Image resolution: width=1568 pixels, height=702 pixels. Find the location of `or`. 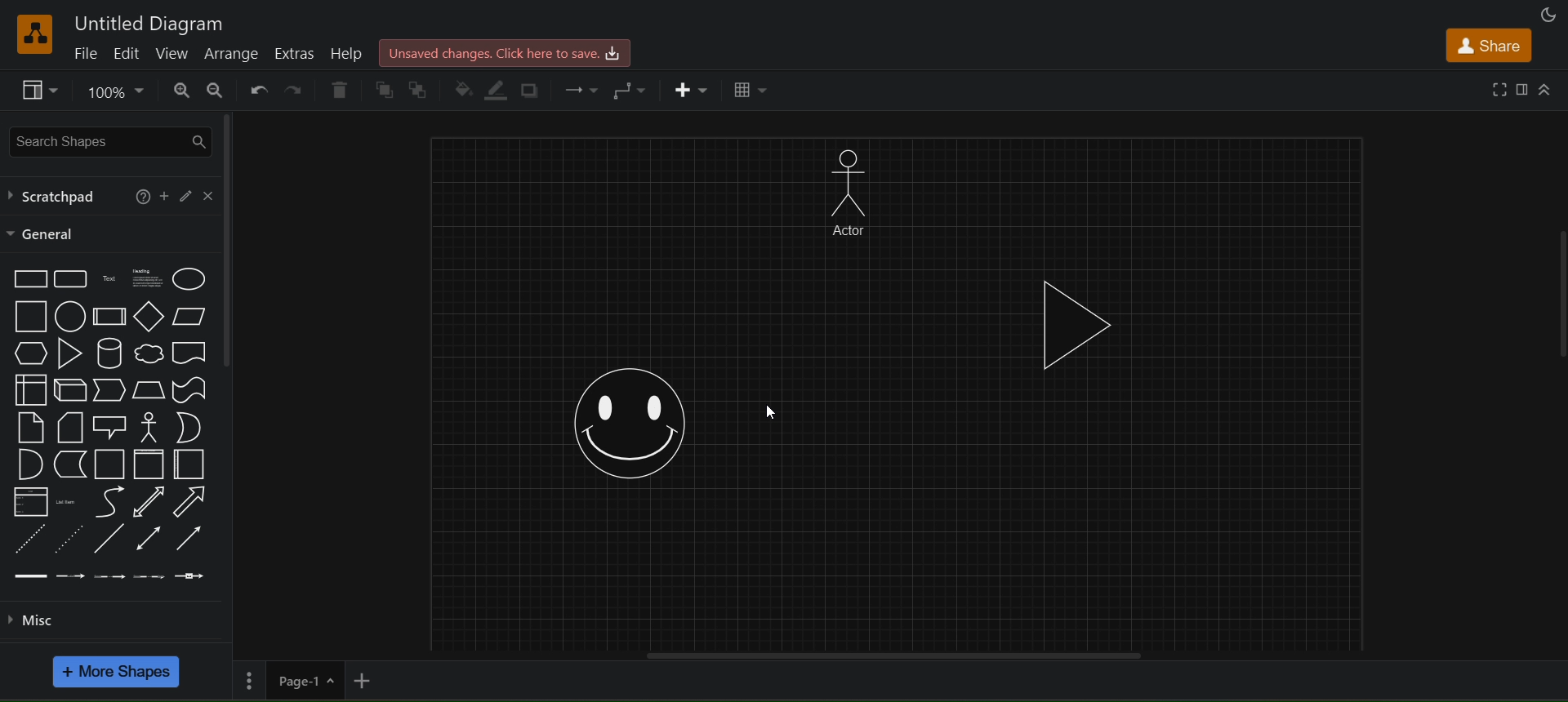

or is located at coordinates (185, 427).